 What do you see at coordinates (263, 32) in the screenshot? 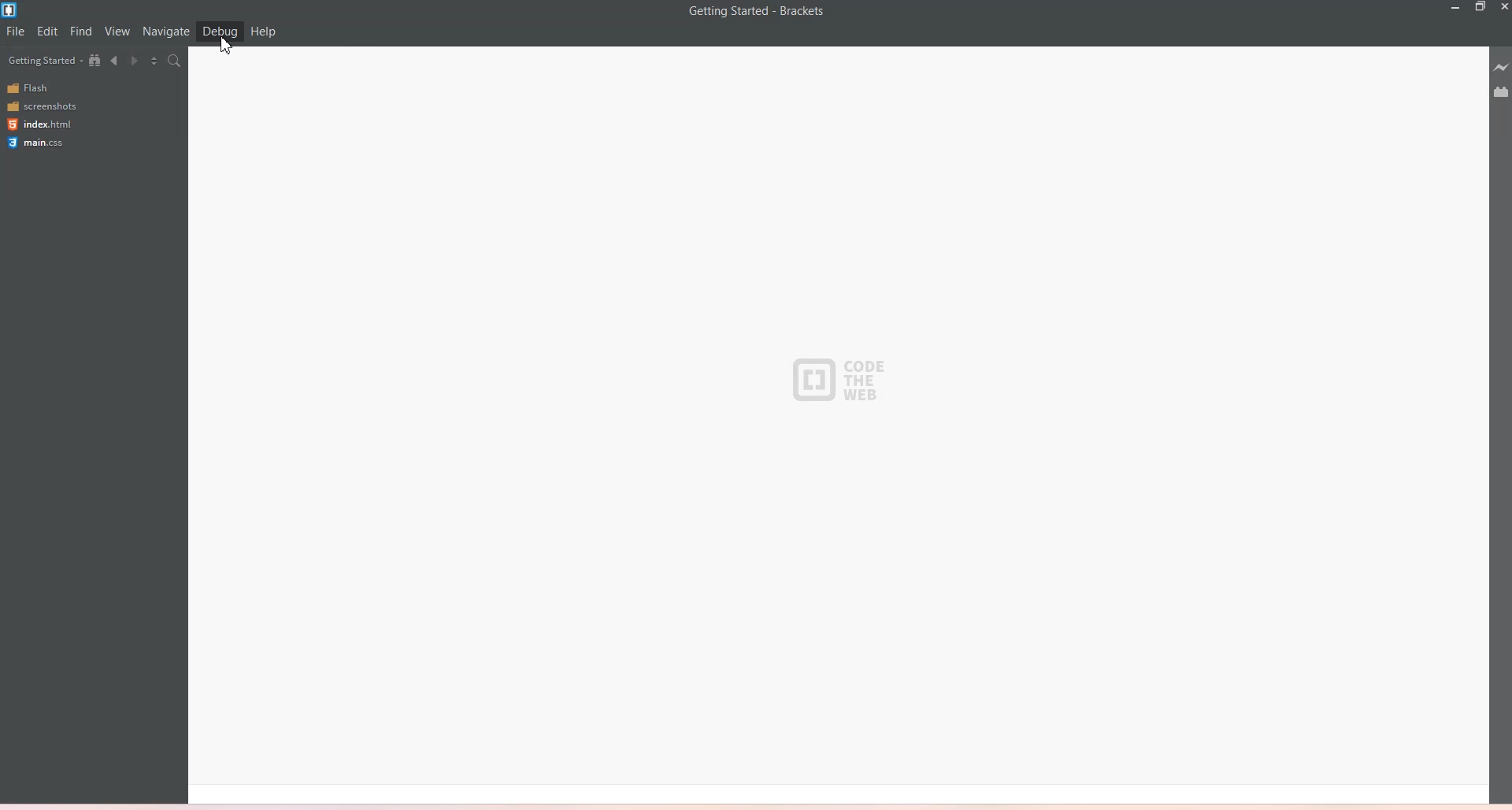
I see `Help` at bounding box center [263, 32].